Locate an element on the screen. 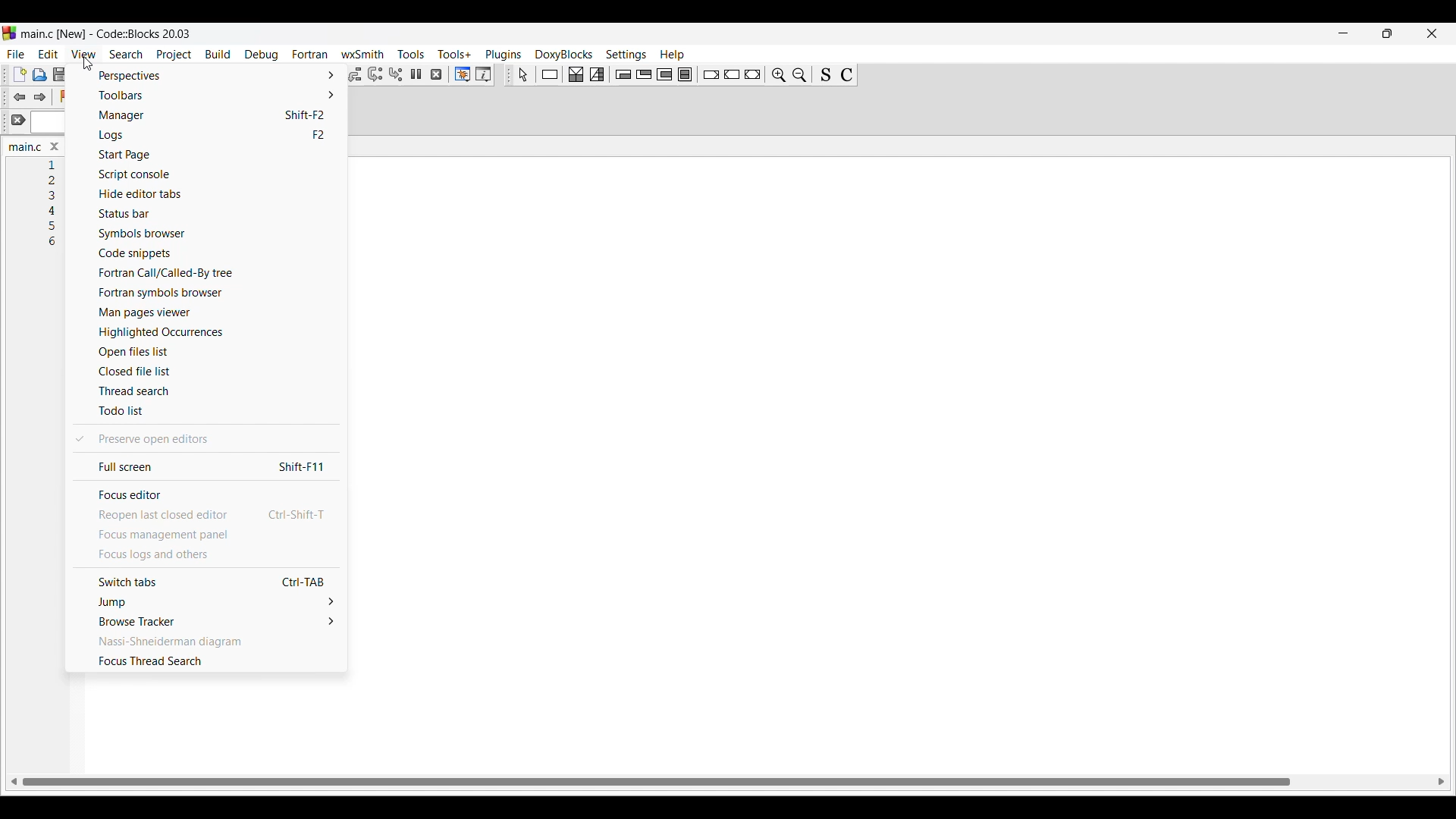 Image resolution: width=1456 pixels, height=819 pixels. Close tab is located at coordinates (54, 146).